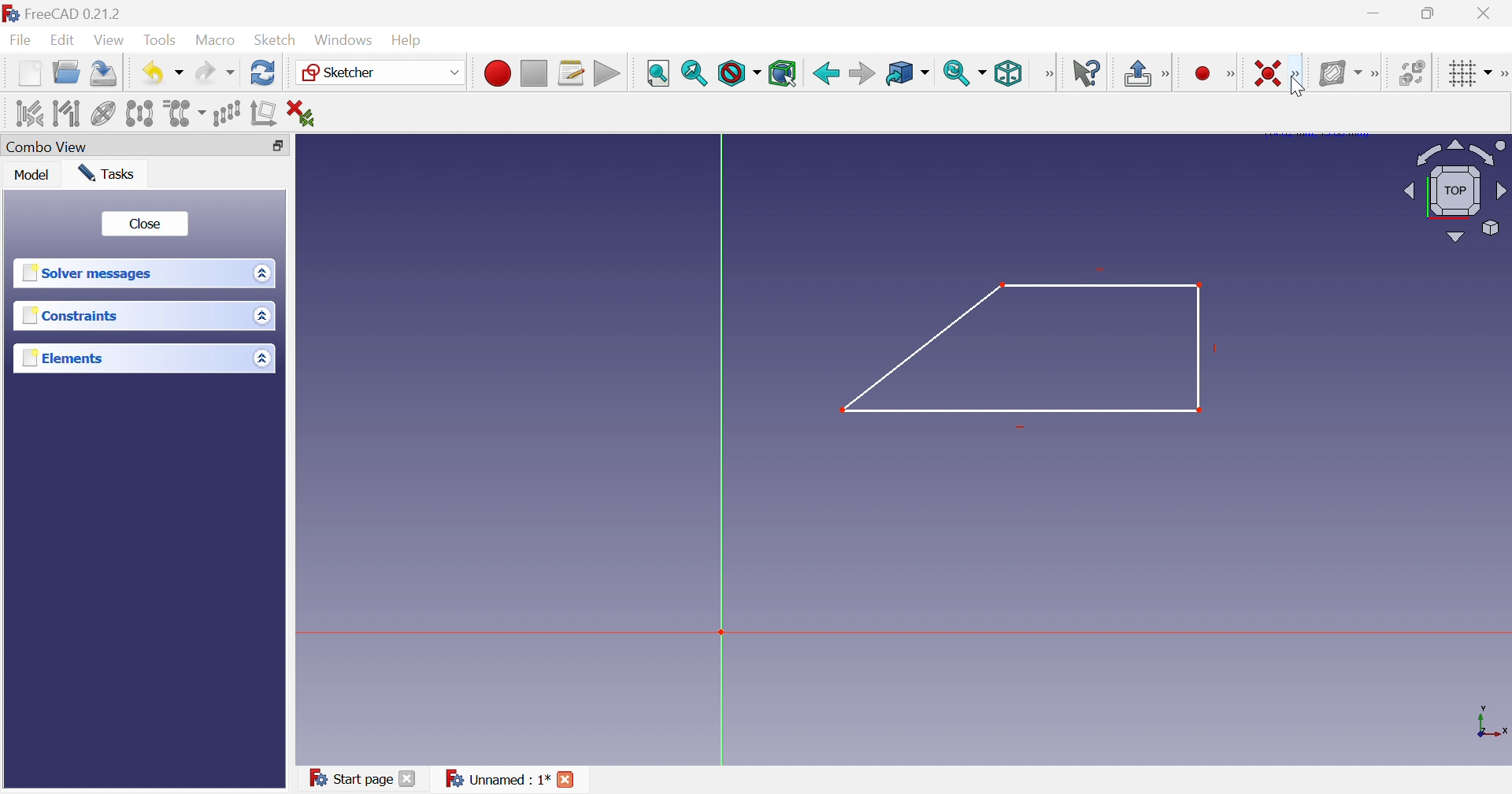  I want to click on Isometric, so click(1010, 73).